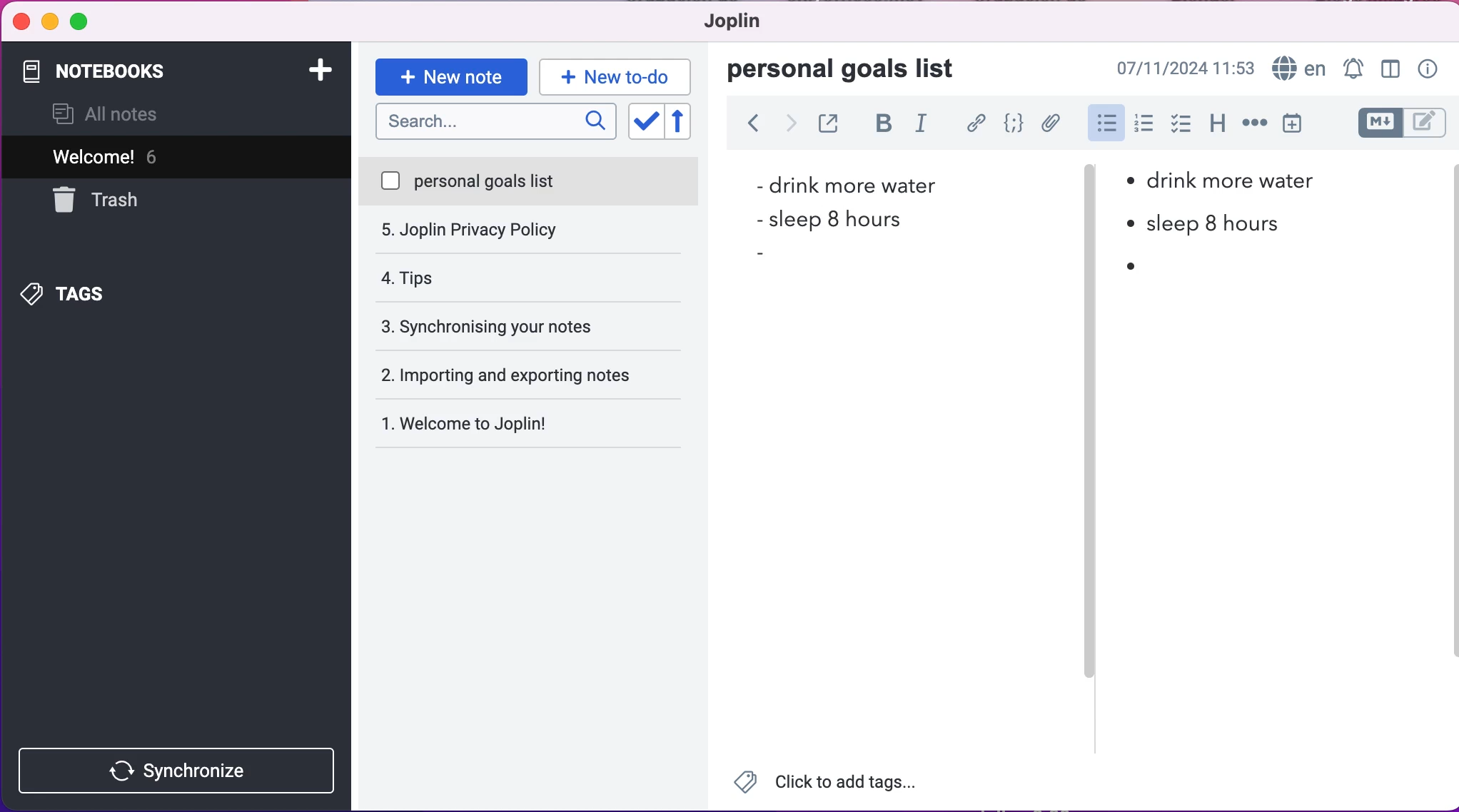  Describe the element at coordinates (834, 783) in the screenshot. I see `Click to add tags...` at that location.